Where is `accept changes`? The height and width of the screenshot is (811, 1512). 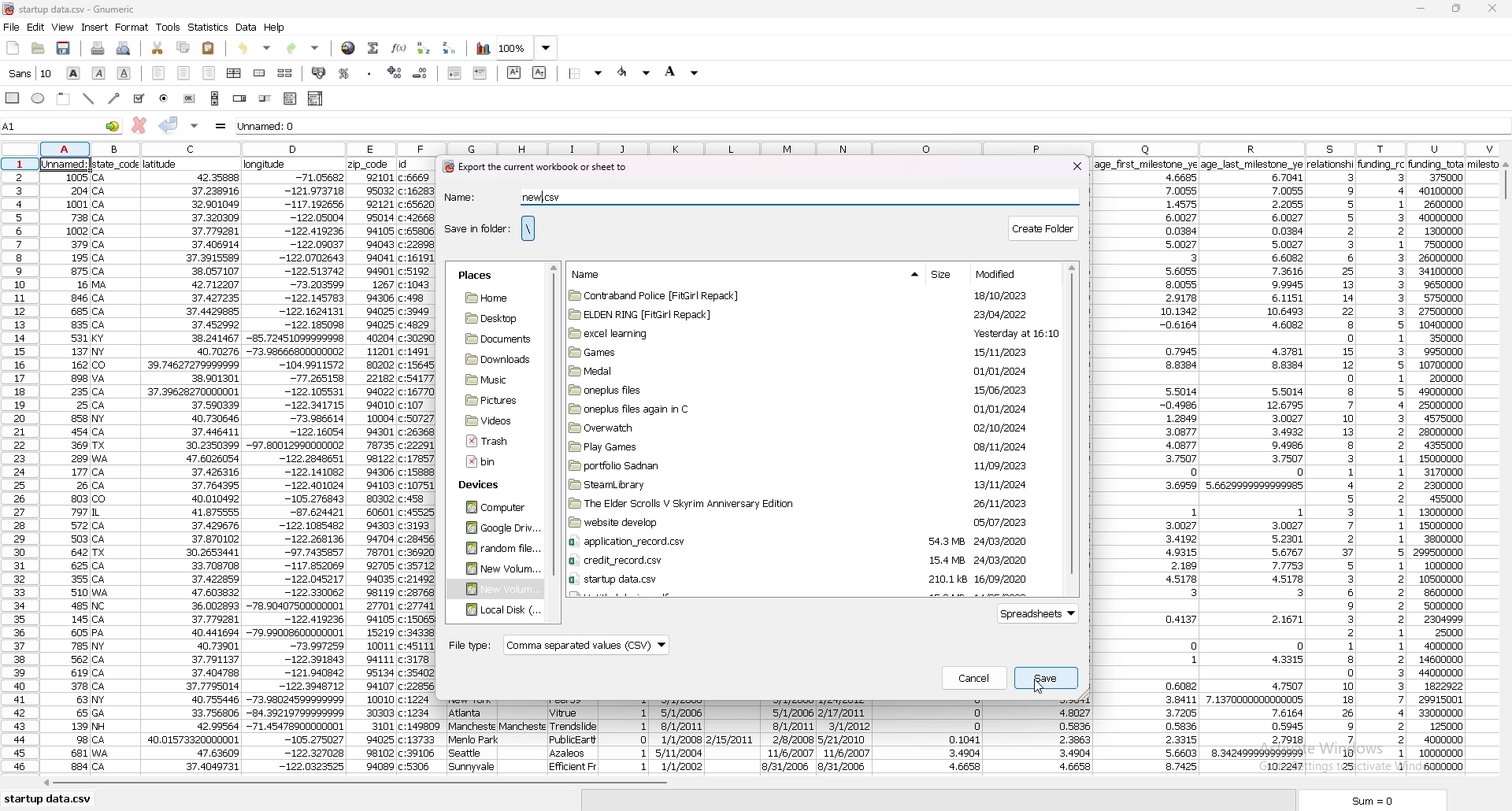 accept changes is located at coordinates (169, 124).